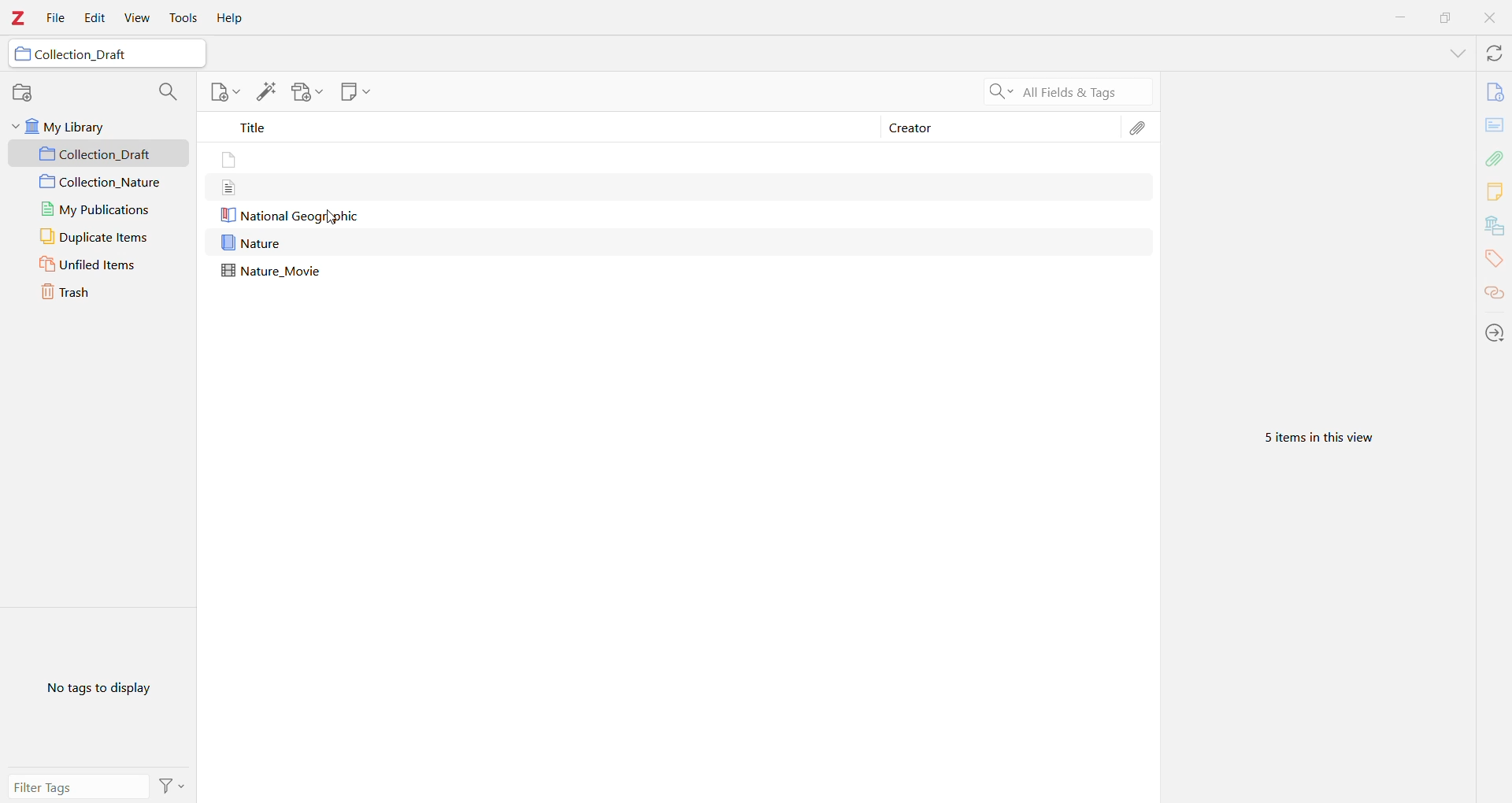  I want to click on cursor, so click(337, 222).